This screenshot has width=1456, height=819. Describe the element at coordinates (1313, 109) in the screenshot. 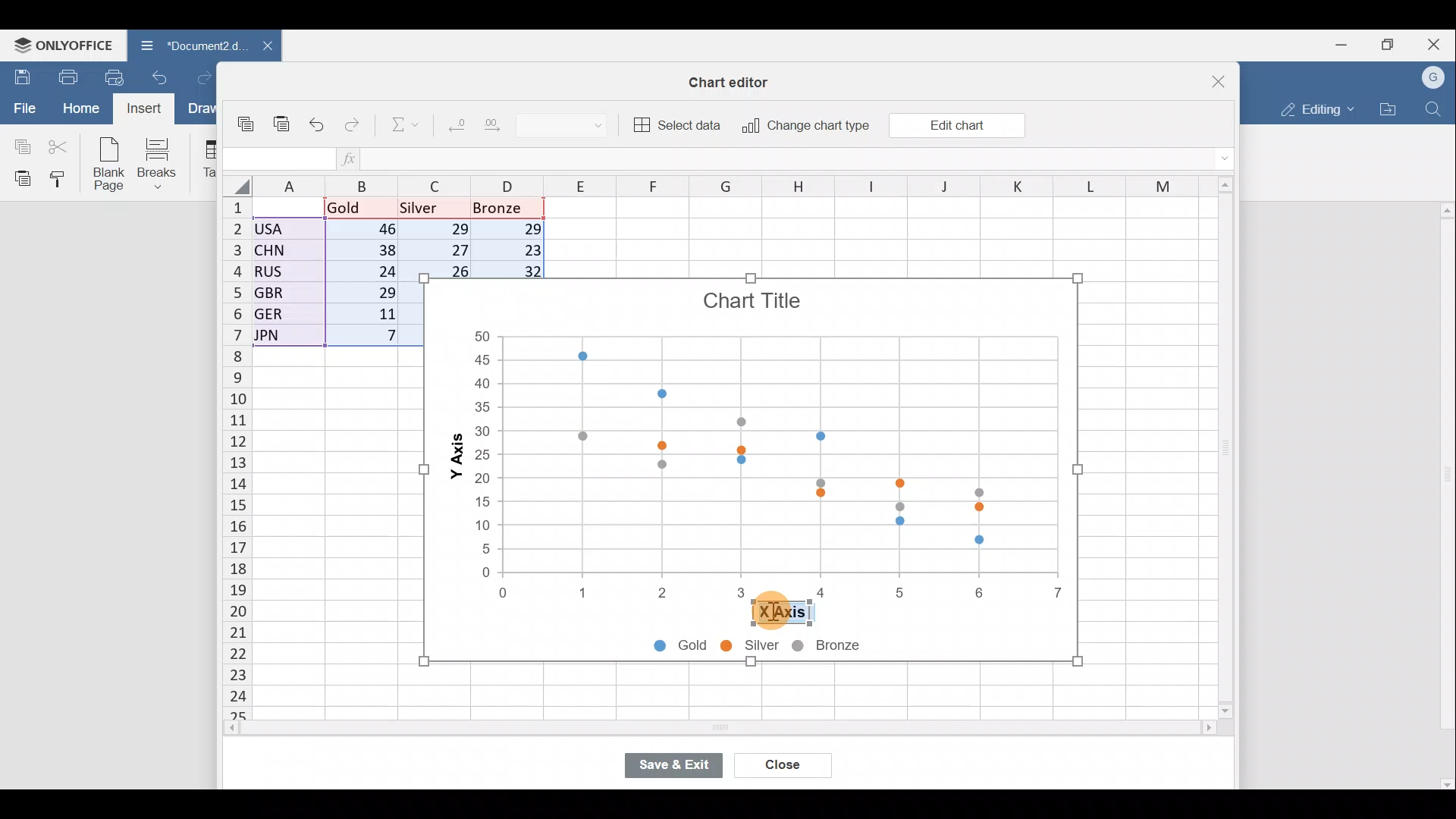

I see `Editing mode` at that location.